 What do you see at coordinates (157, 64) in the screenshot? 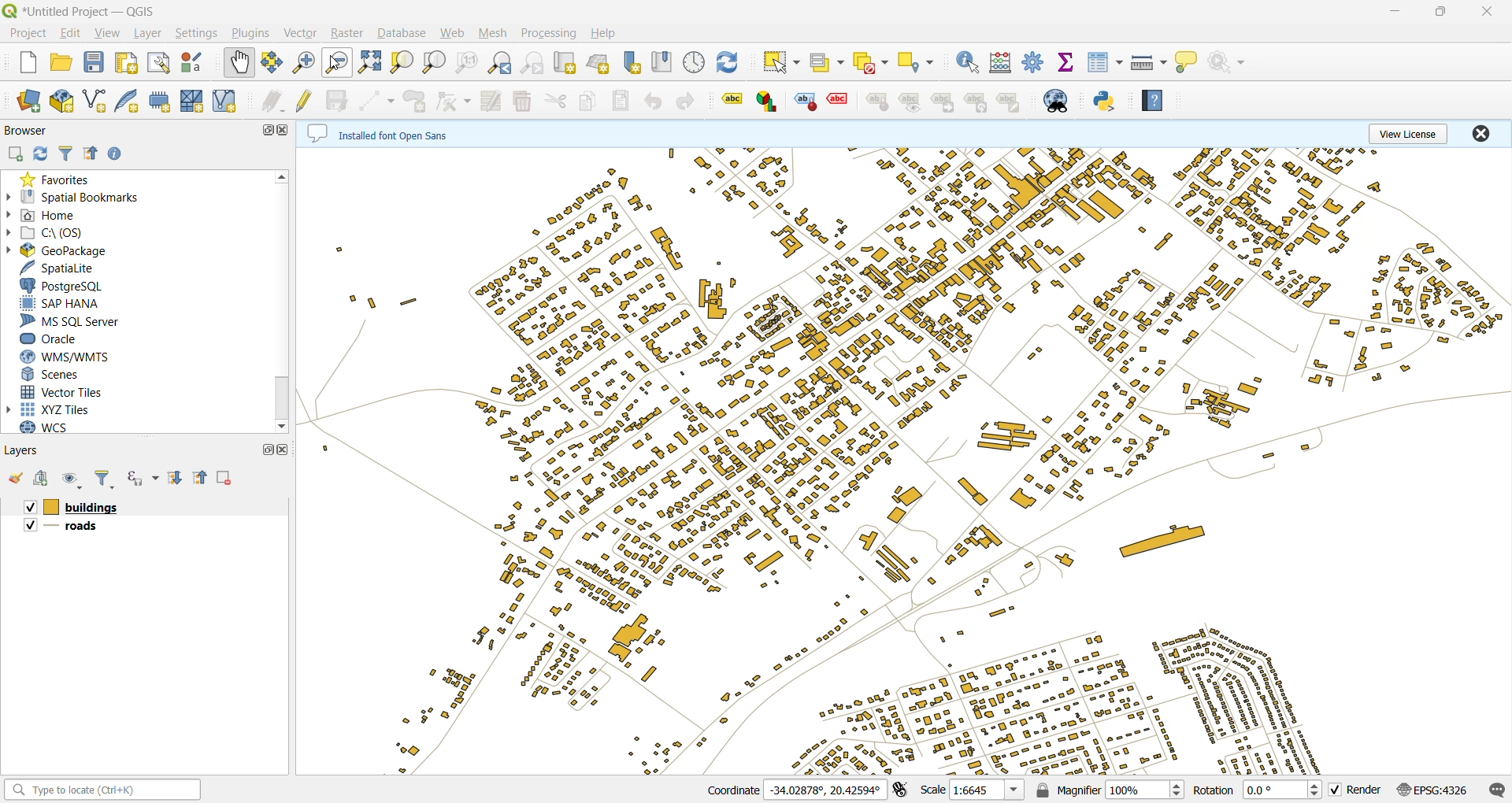
I see `show layout` at bounding box center [157, 64].